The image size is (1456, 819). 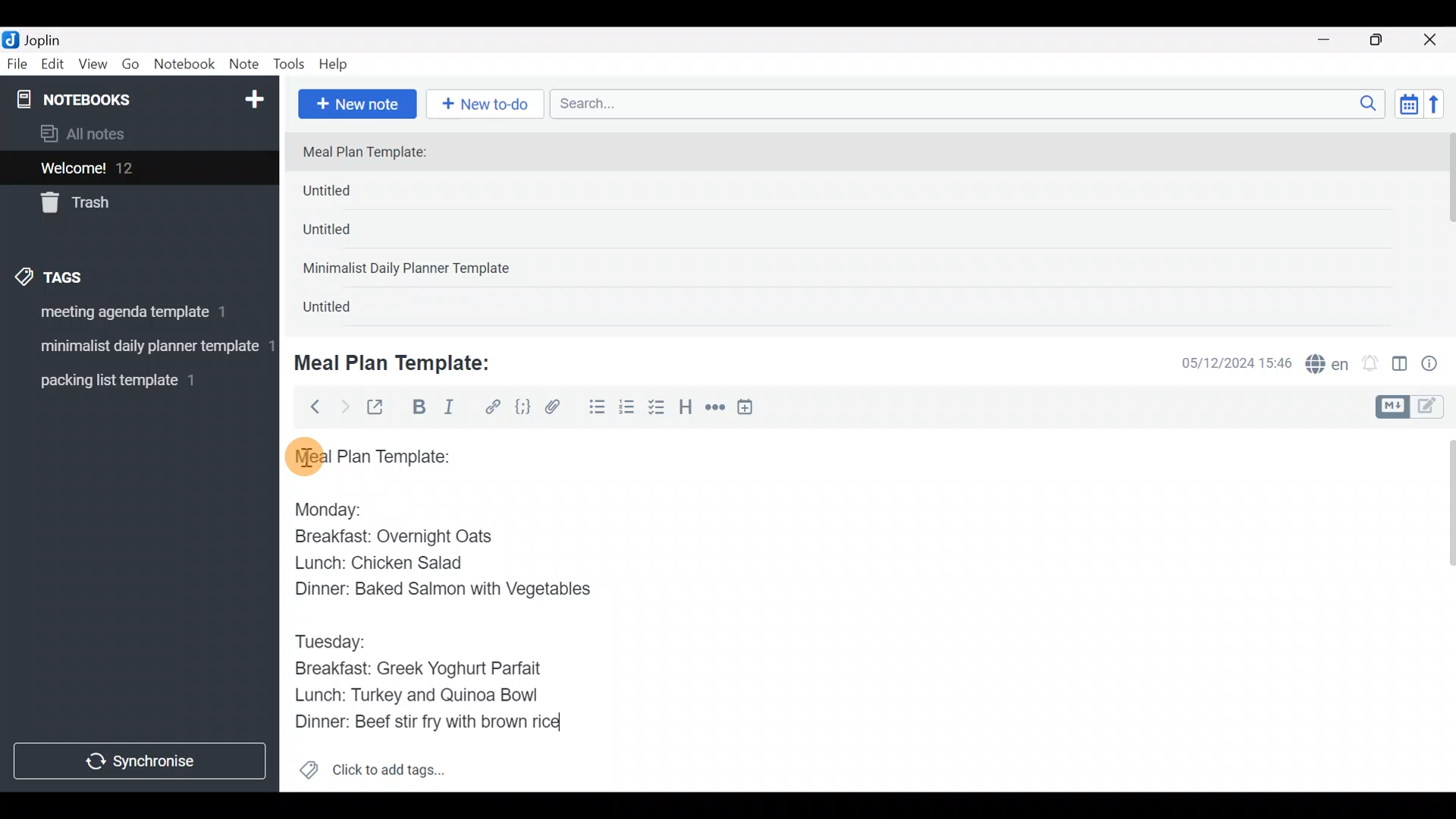 What do you see at coordinates (1225, 362) in the screenshot?
I see `Date & time` at bounding box center [1225, 362].